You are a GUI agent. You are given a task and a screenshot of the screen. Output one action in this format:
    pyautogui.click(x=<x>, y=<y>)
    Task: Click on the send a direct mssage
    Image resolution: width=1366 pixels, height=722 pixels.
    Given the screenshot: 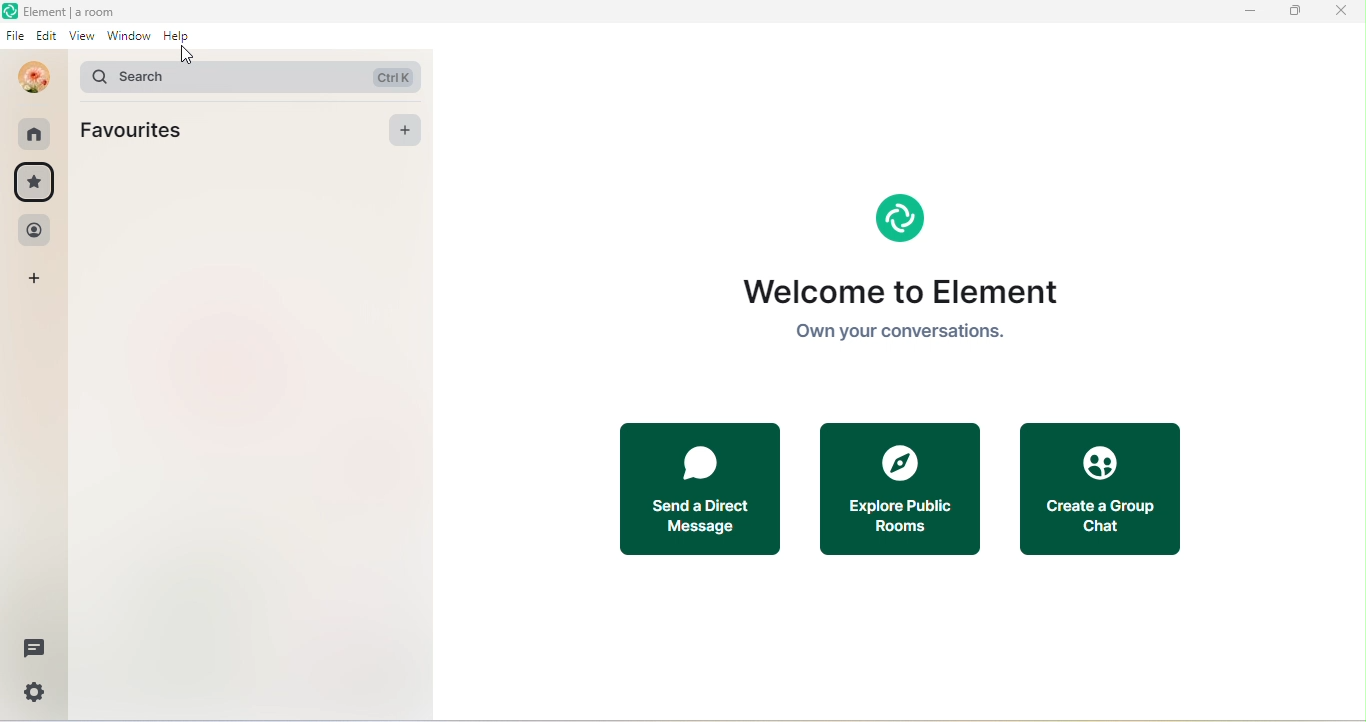 What is the action you would take?
    pyautogui.click(x=696, y=493)
    